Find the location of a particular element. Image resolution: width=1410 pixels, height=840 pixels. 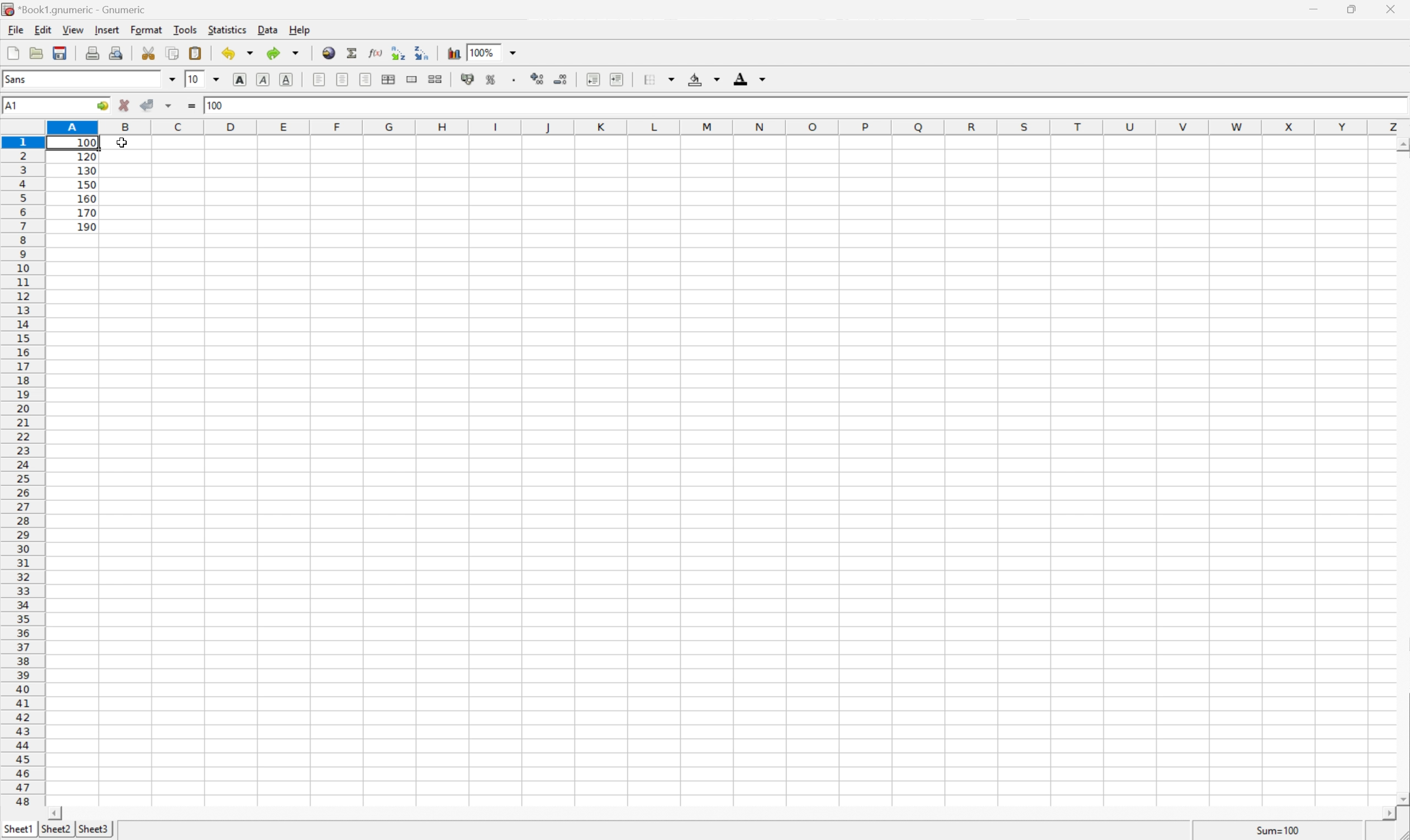

Align Left is located at coordinates (318, 79).